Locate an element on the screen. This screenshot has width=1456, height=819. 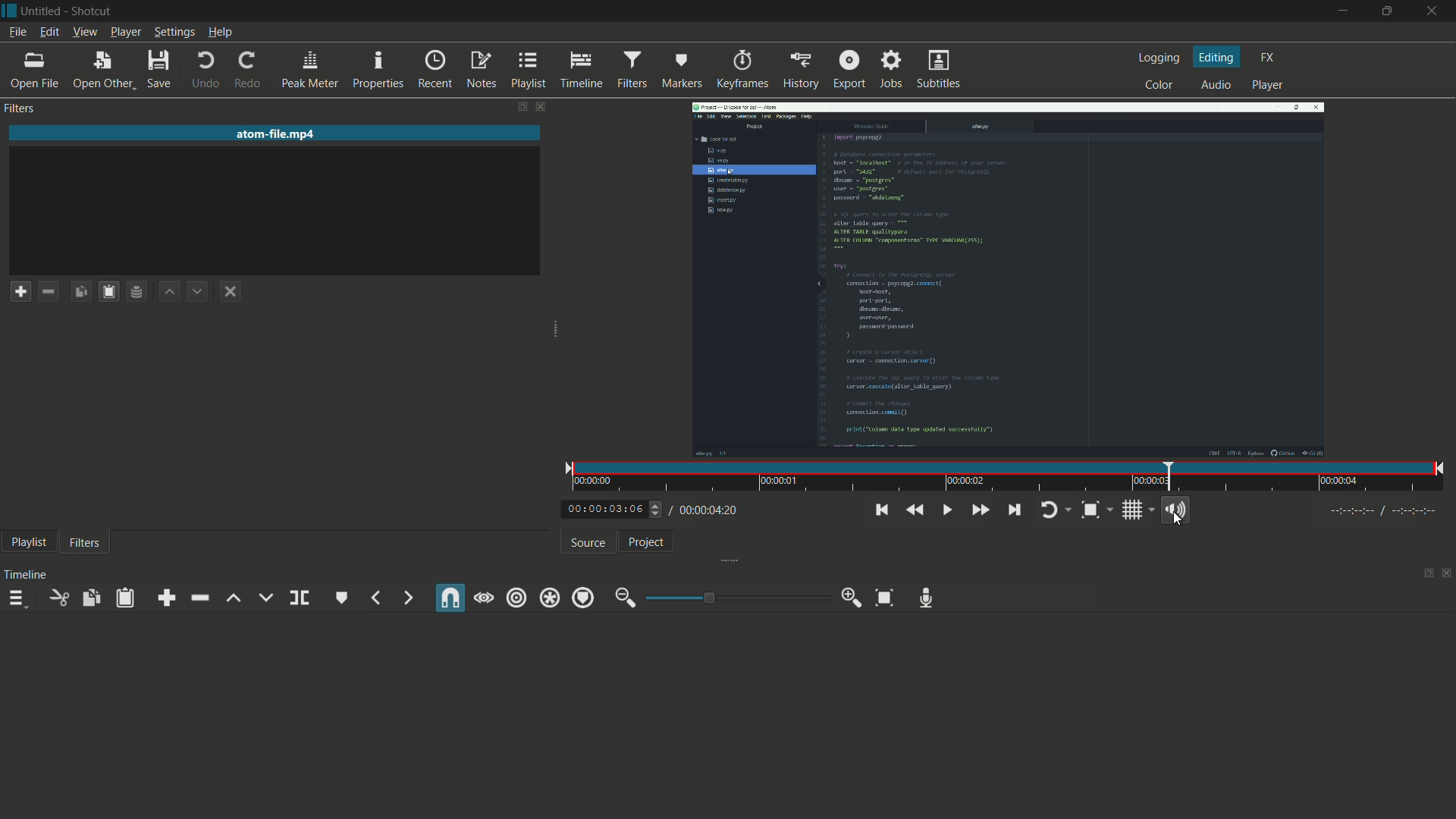
remove filter is located at coordinates (48, 292).